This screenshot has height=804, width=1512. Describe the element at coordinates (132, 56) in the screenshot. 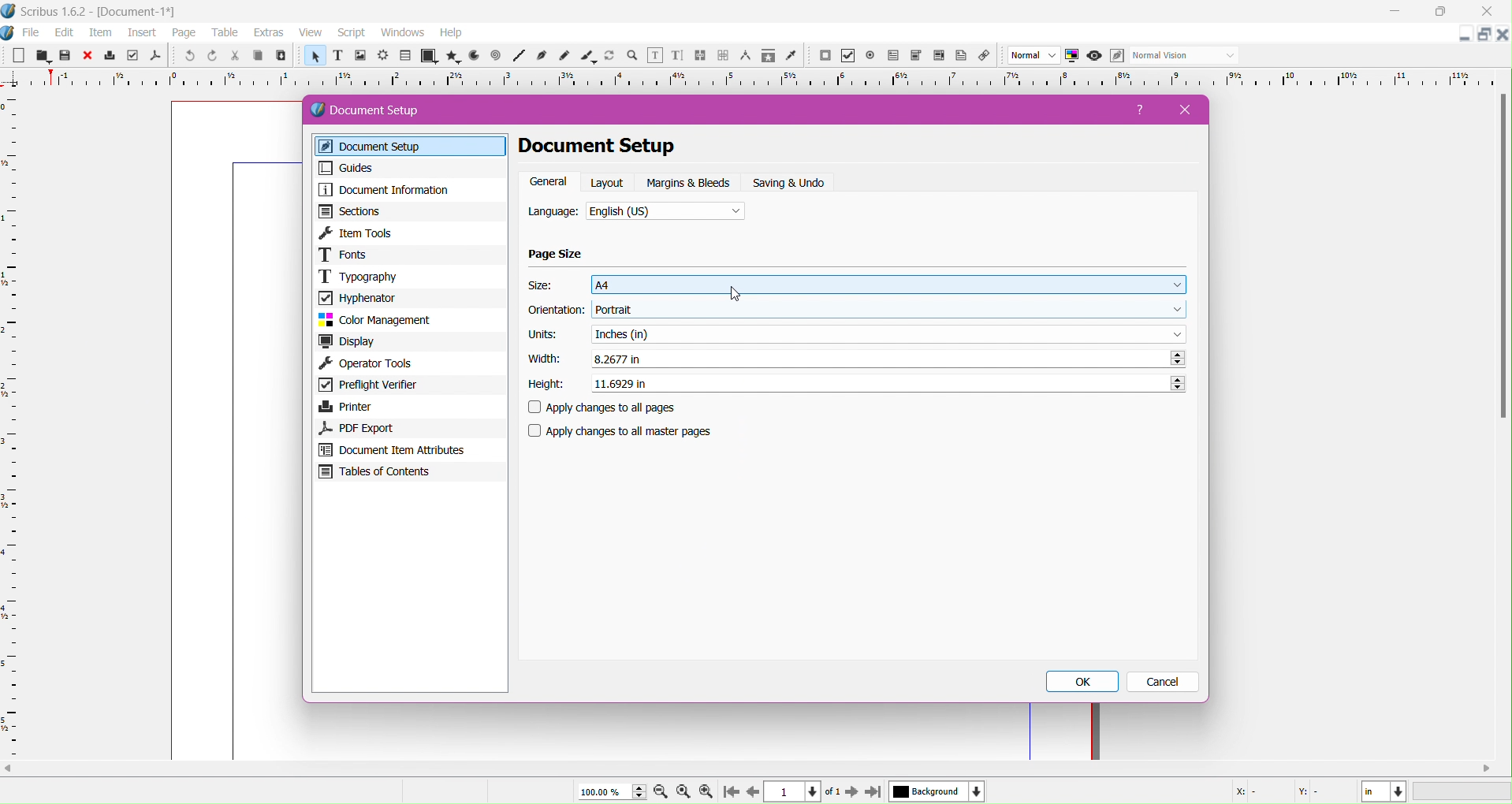

I see `preflight highlighter` at that location.